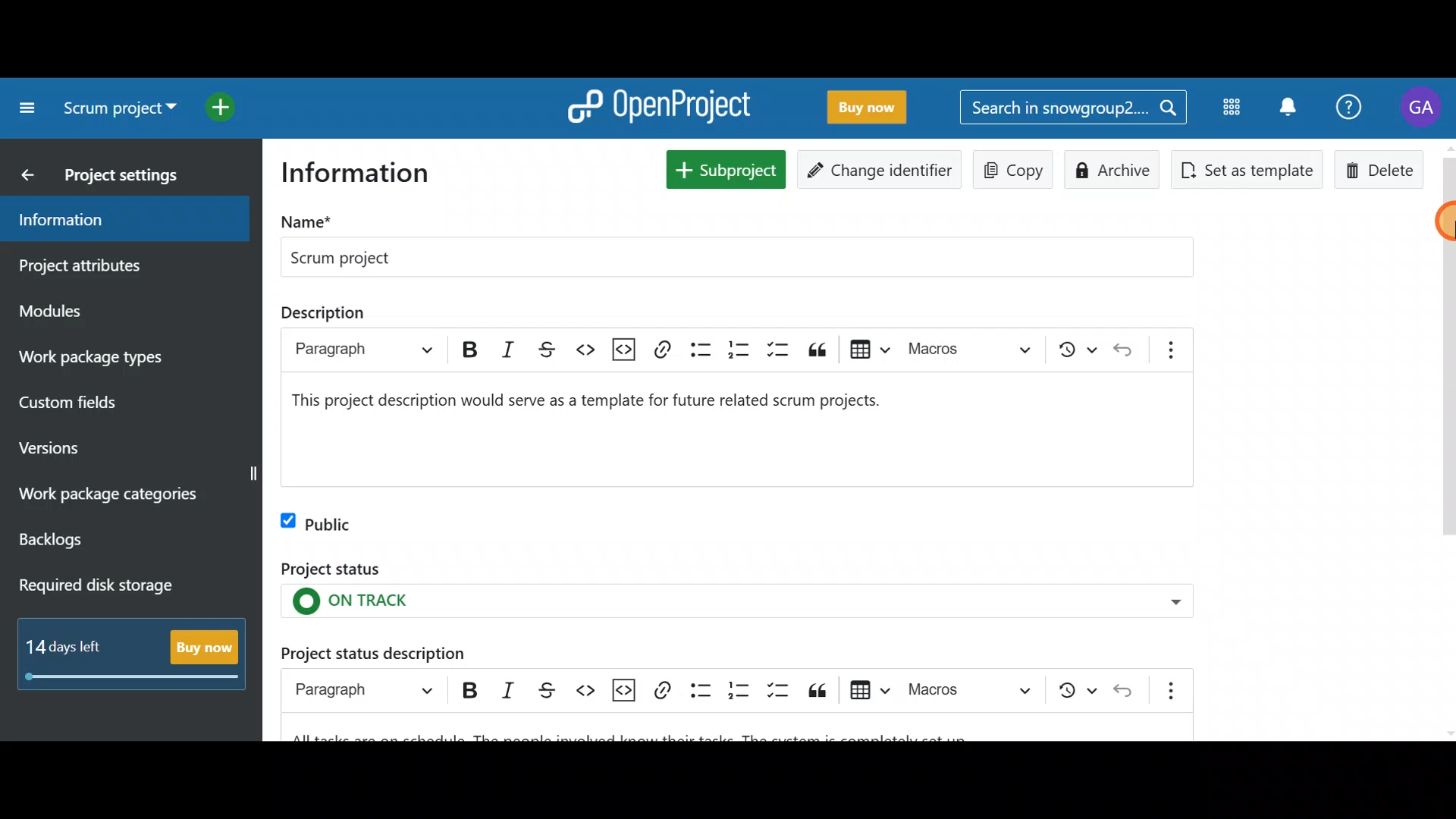  What do you see at coordinates (1166, 690) in the screenshot?
I see `Show more items` at bounding box center [1166, 690].